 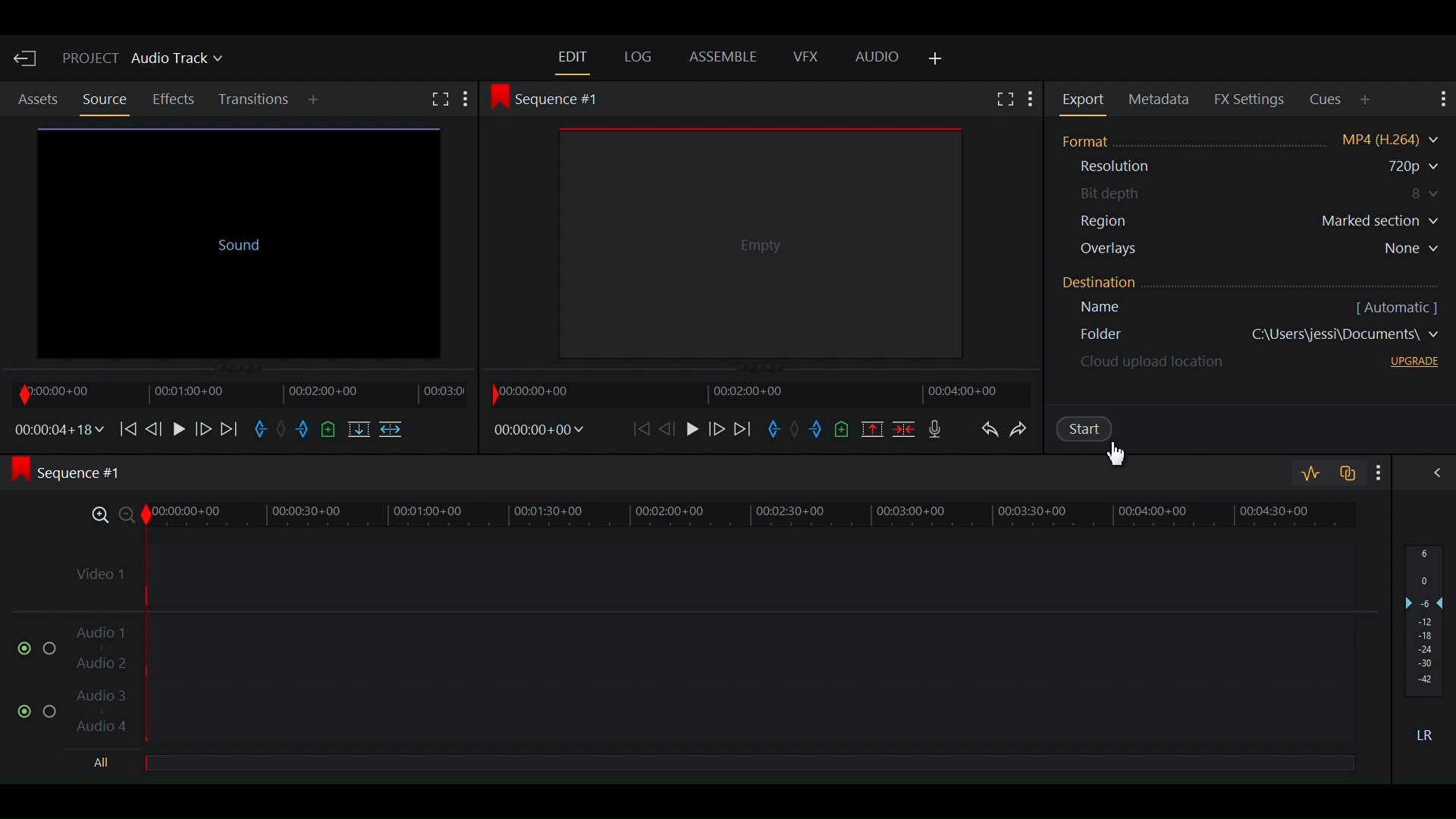 I want to click on Folder, so click(x=1257, y=338).